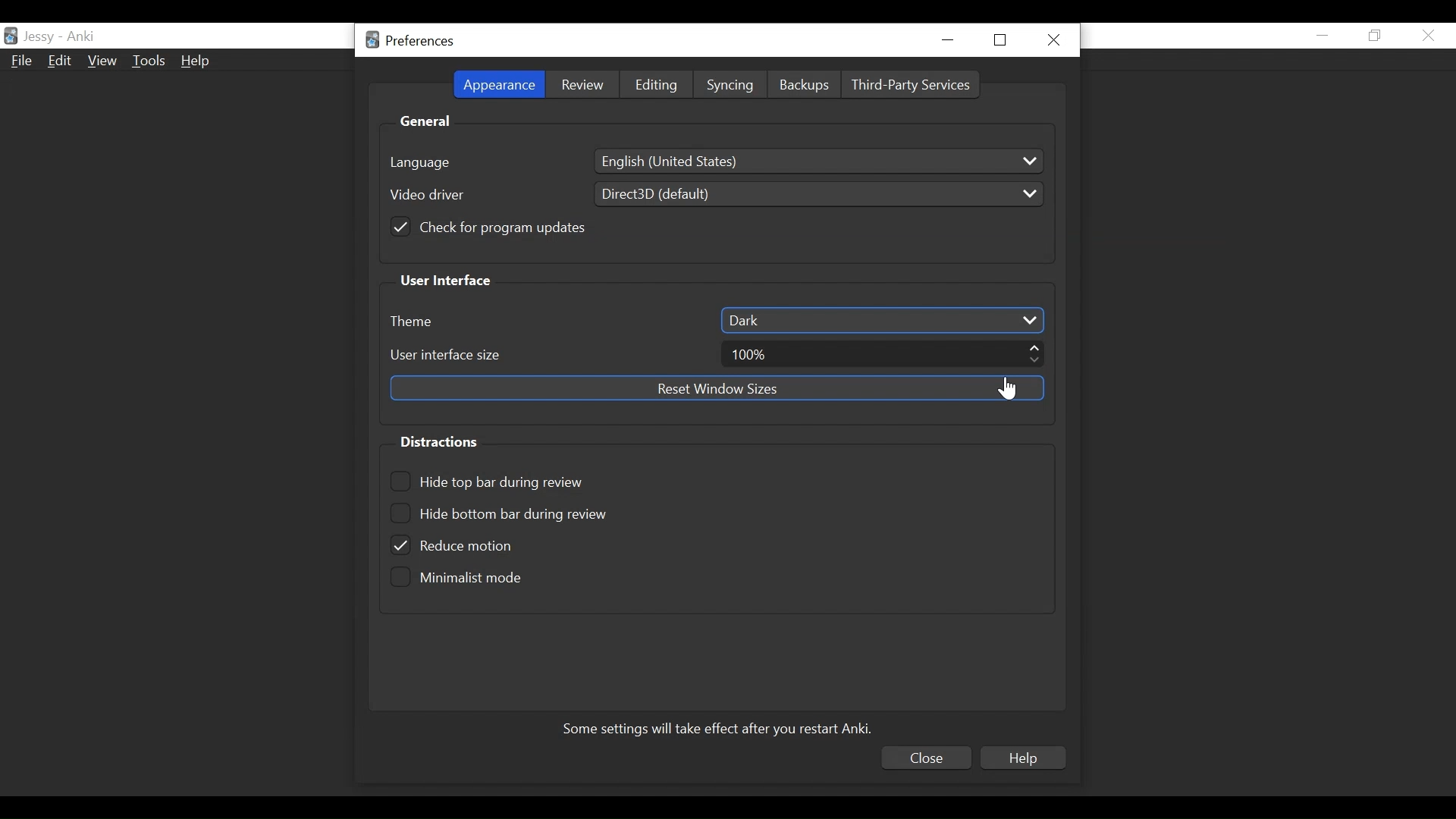 Image resolution: width=1456 pixels, height=819 pixels. What do you see at coordinates (410, 42) in the screenshot?
I see `Preferences` at bounding box center [410, 42].